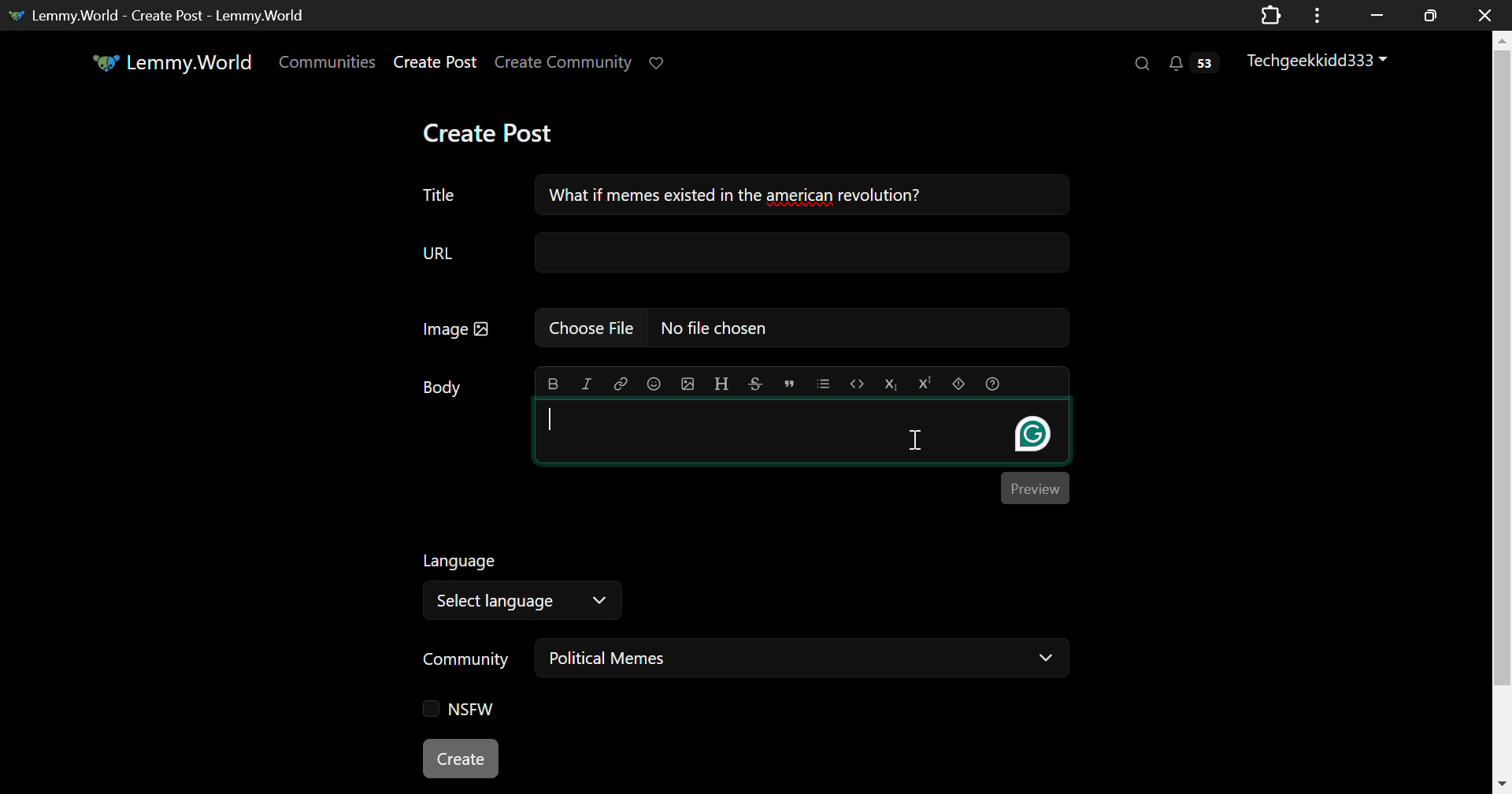  I want to click on Link, so click(621, 382).